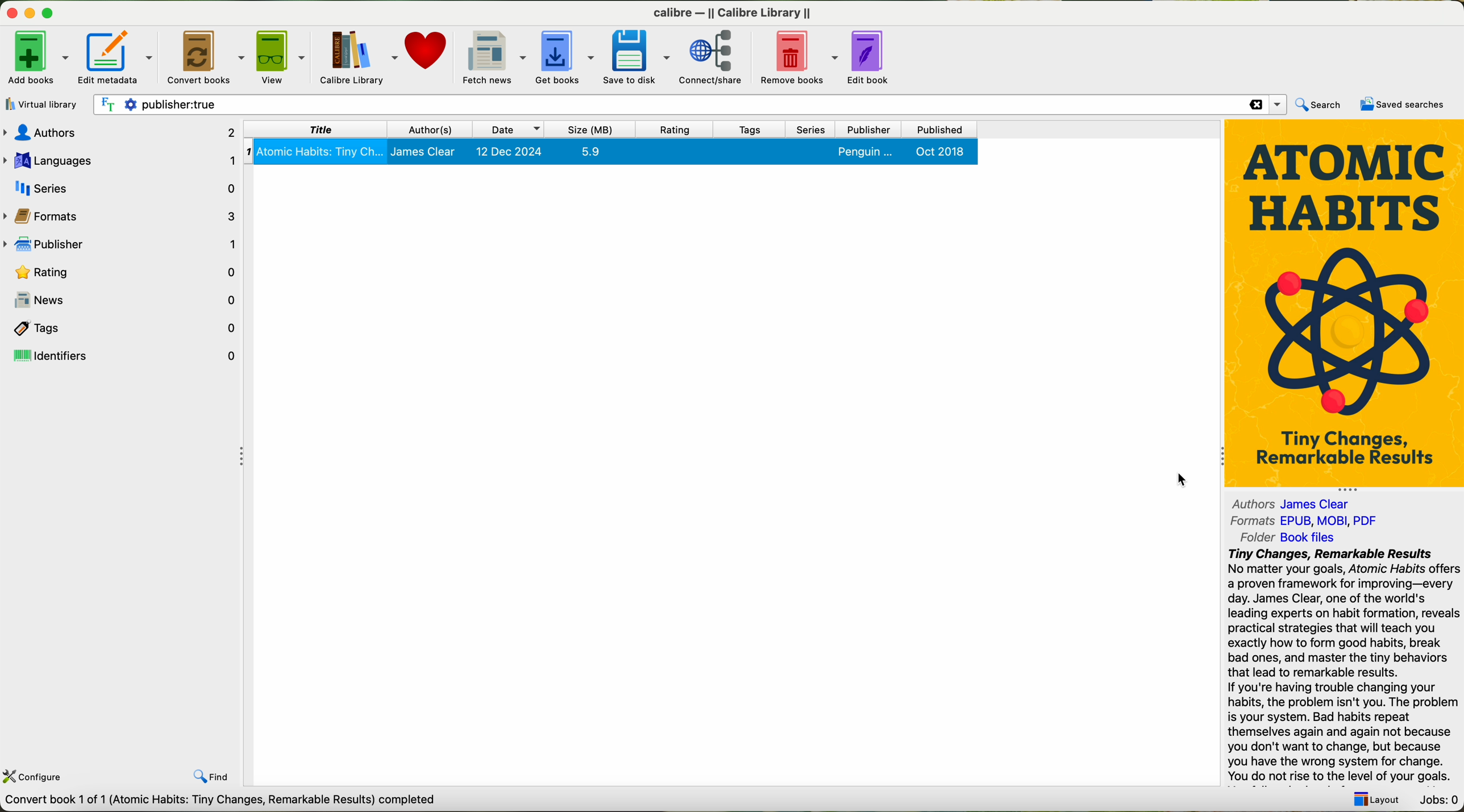 The width and height of the screenshot is (1464, 812). Describe the element at coordinates (206, 58) in the screenshot. I see `click on convert books` at that location.